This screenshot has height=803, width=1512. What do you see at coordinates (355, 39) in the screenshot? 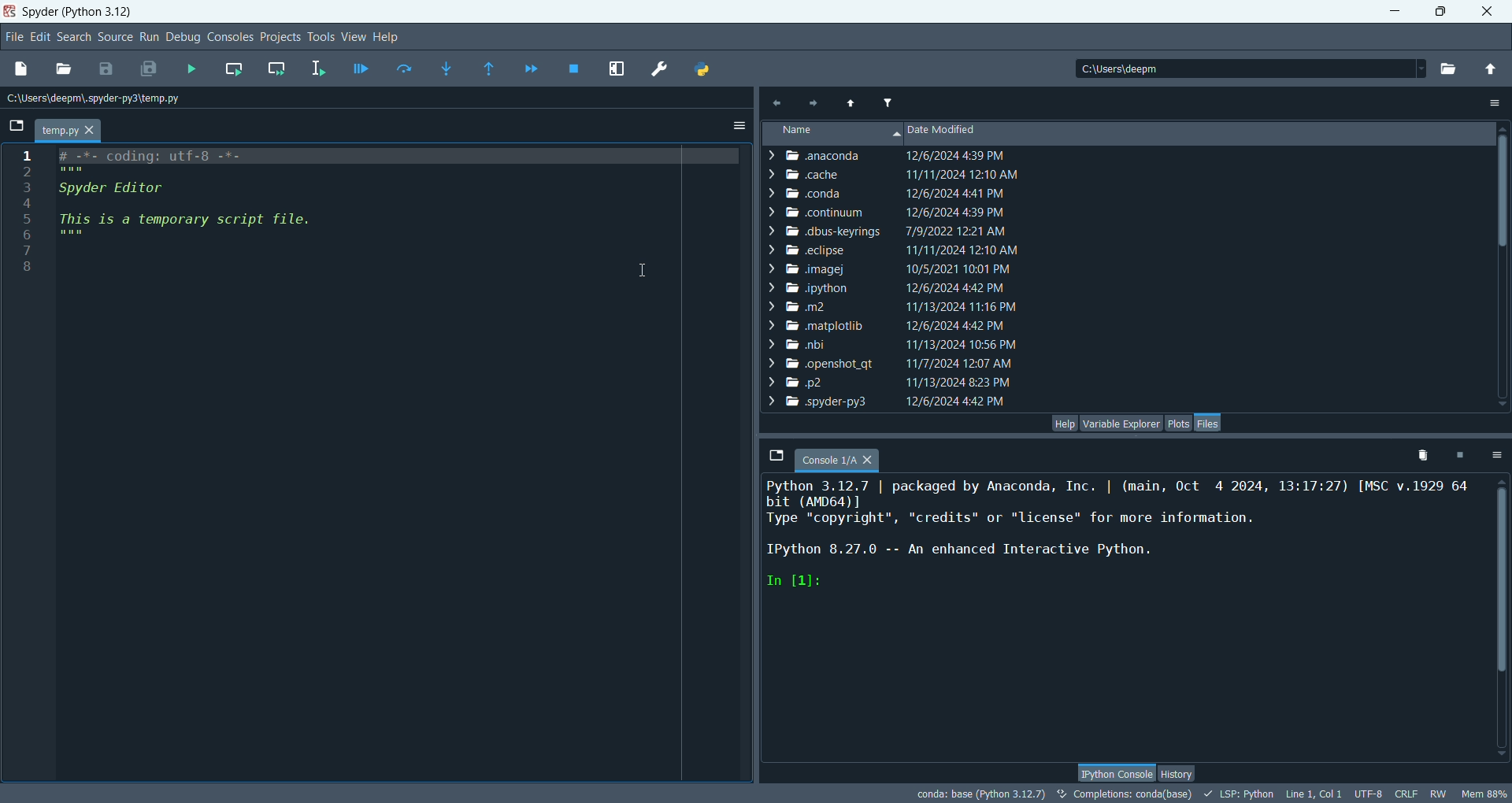
I see `view` at bounding box center [355, 39].